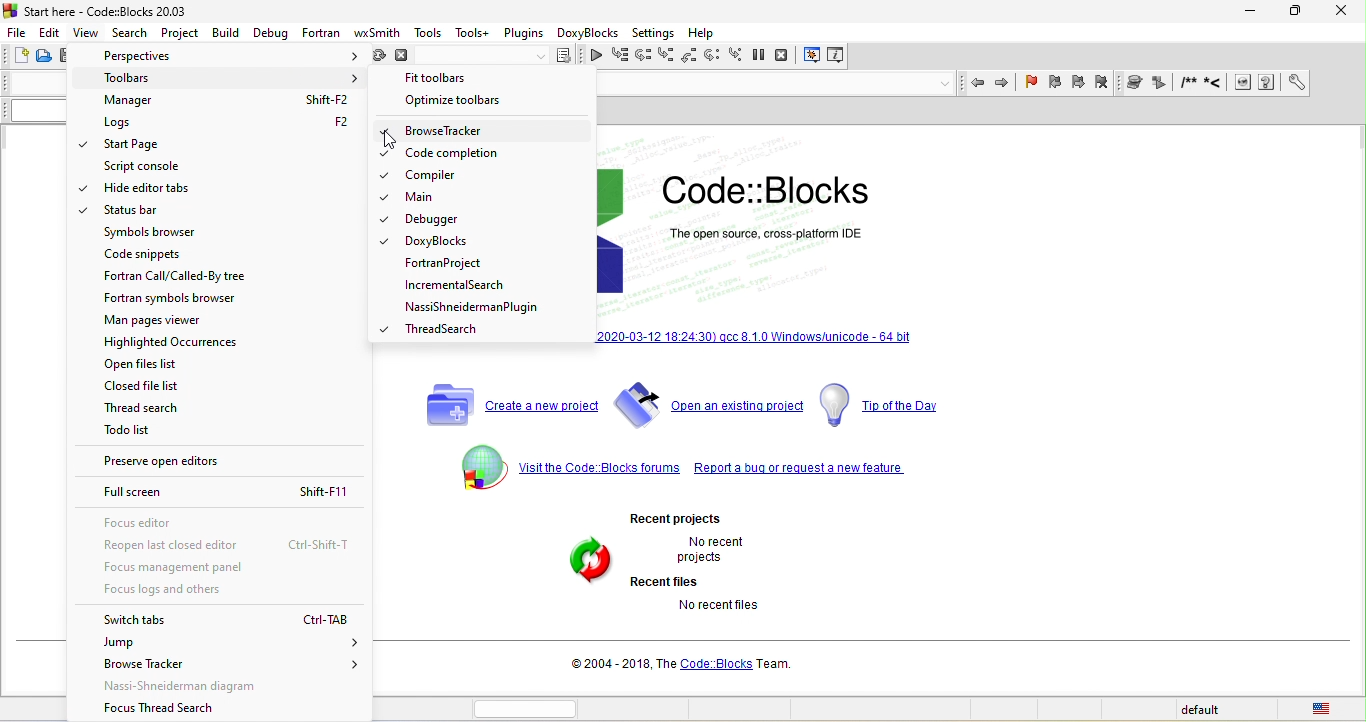 The width and height of the screenshot is (1366, 722). I want to click on abrot, so click(405, 59).